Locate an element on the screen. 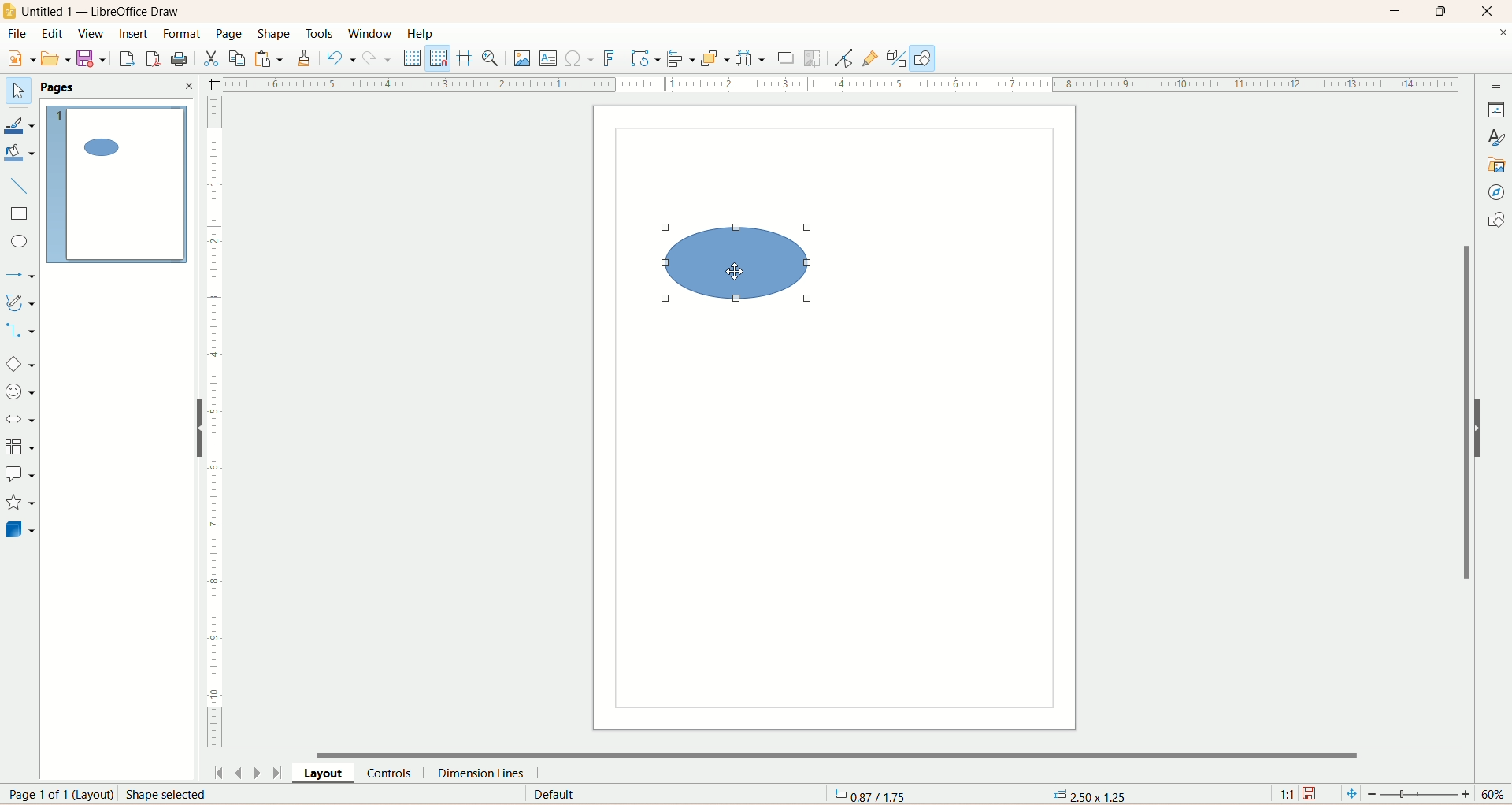  close documents is located at coordinates (1503, 34).